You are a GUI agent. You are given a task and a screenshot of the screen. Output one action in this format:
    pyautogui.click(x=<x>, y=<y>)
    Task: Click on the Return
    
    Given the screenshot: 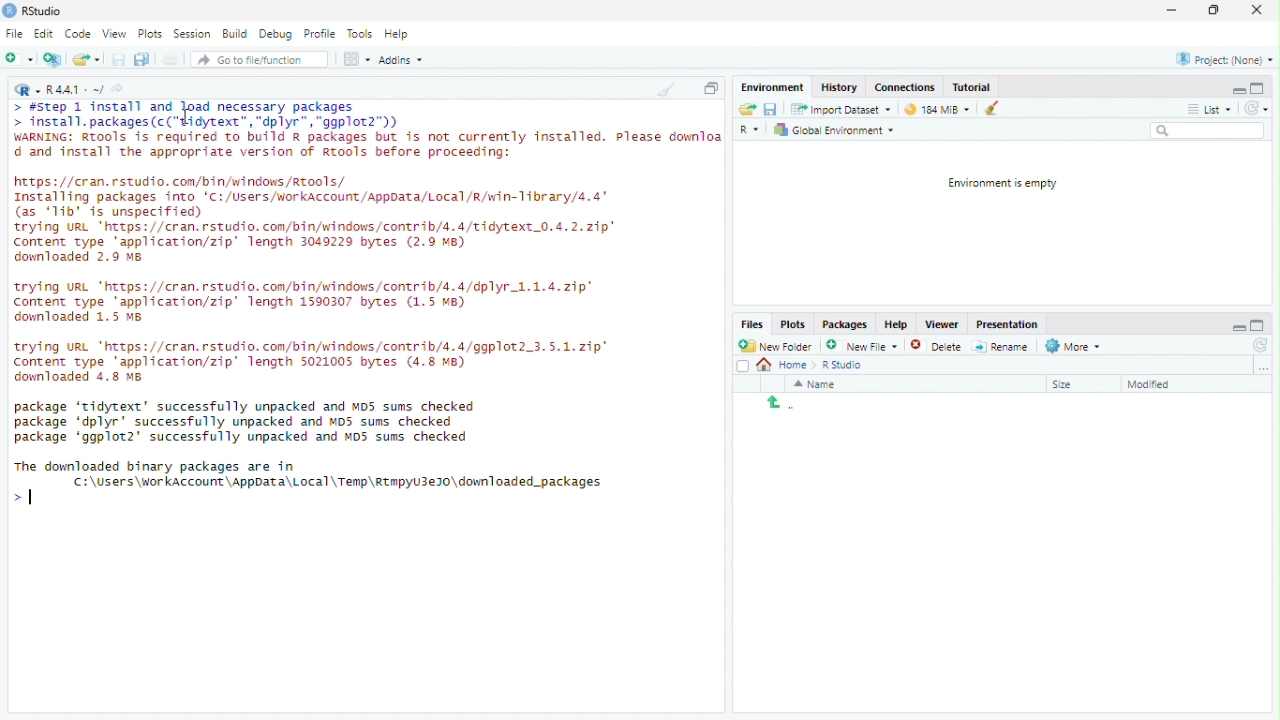 What is the action you would take?
    pyautogui.click(x=781, y=404)
    